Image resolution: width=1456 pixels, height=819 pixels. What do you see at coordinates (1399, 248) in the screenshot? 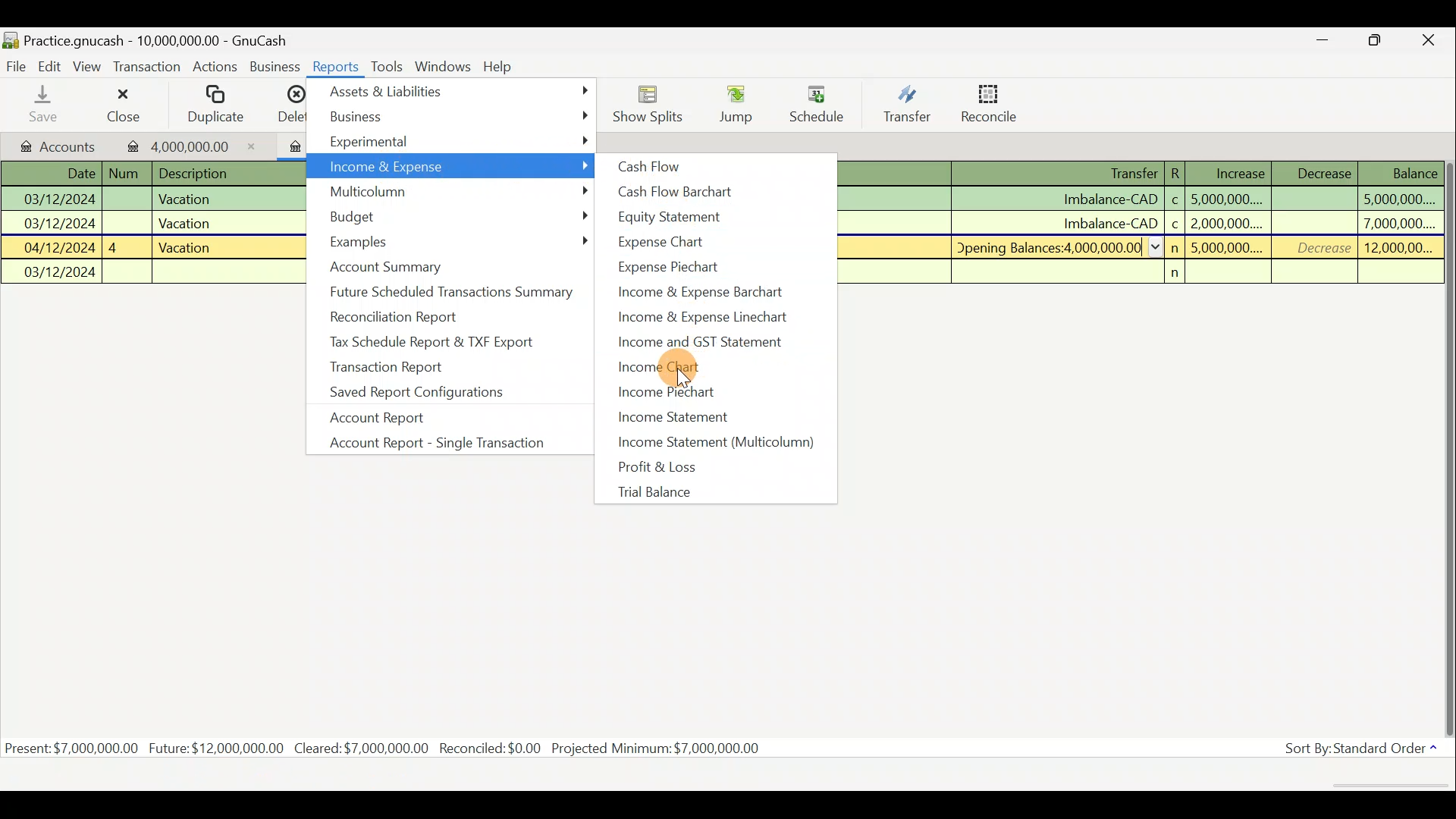
I see `12,000,00...` at bounding box center [1399, 248].